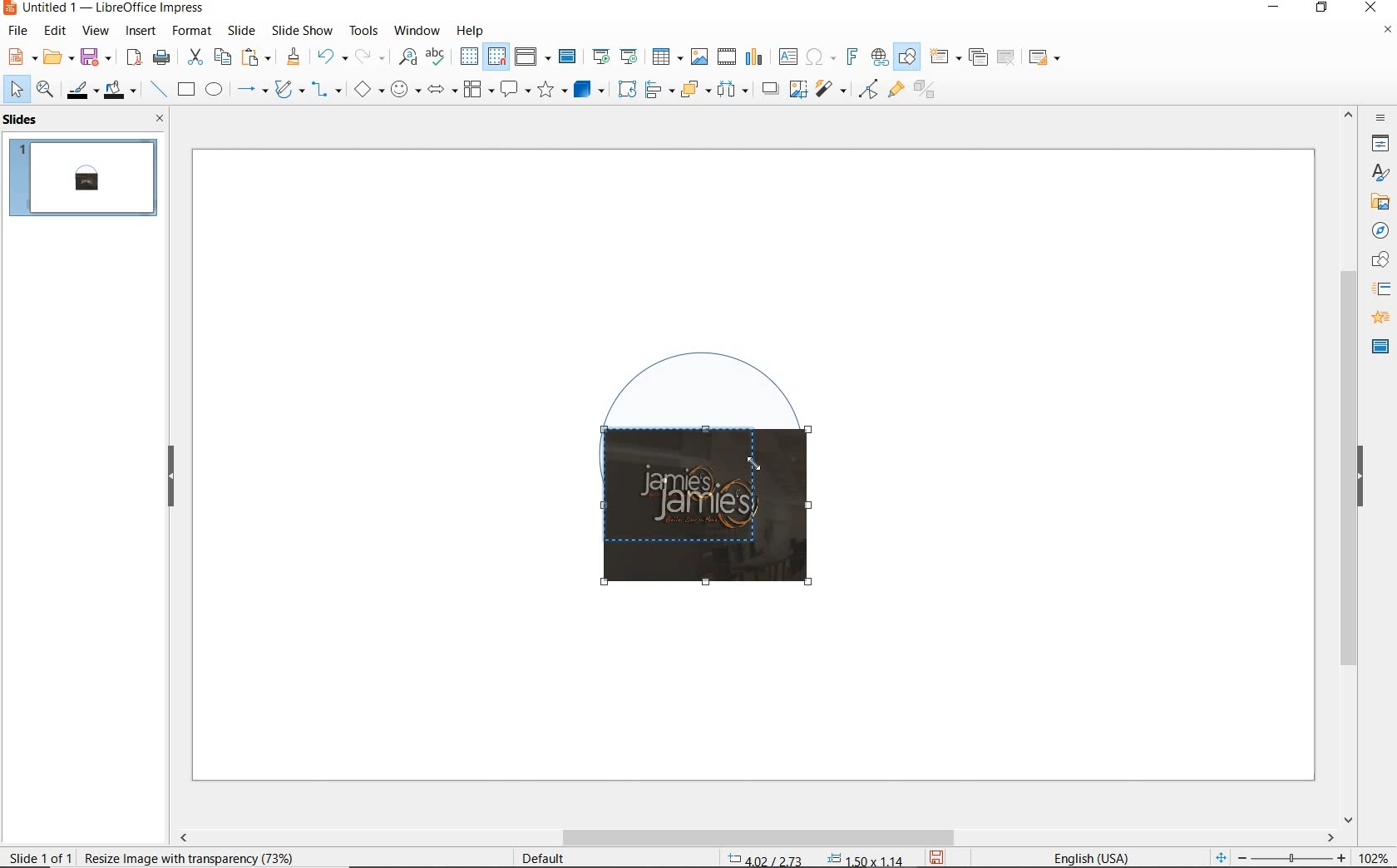  Describe the element at coordinates (185, 91) in the screenshot. I see `rectangle` at that location.